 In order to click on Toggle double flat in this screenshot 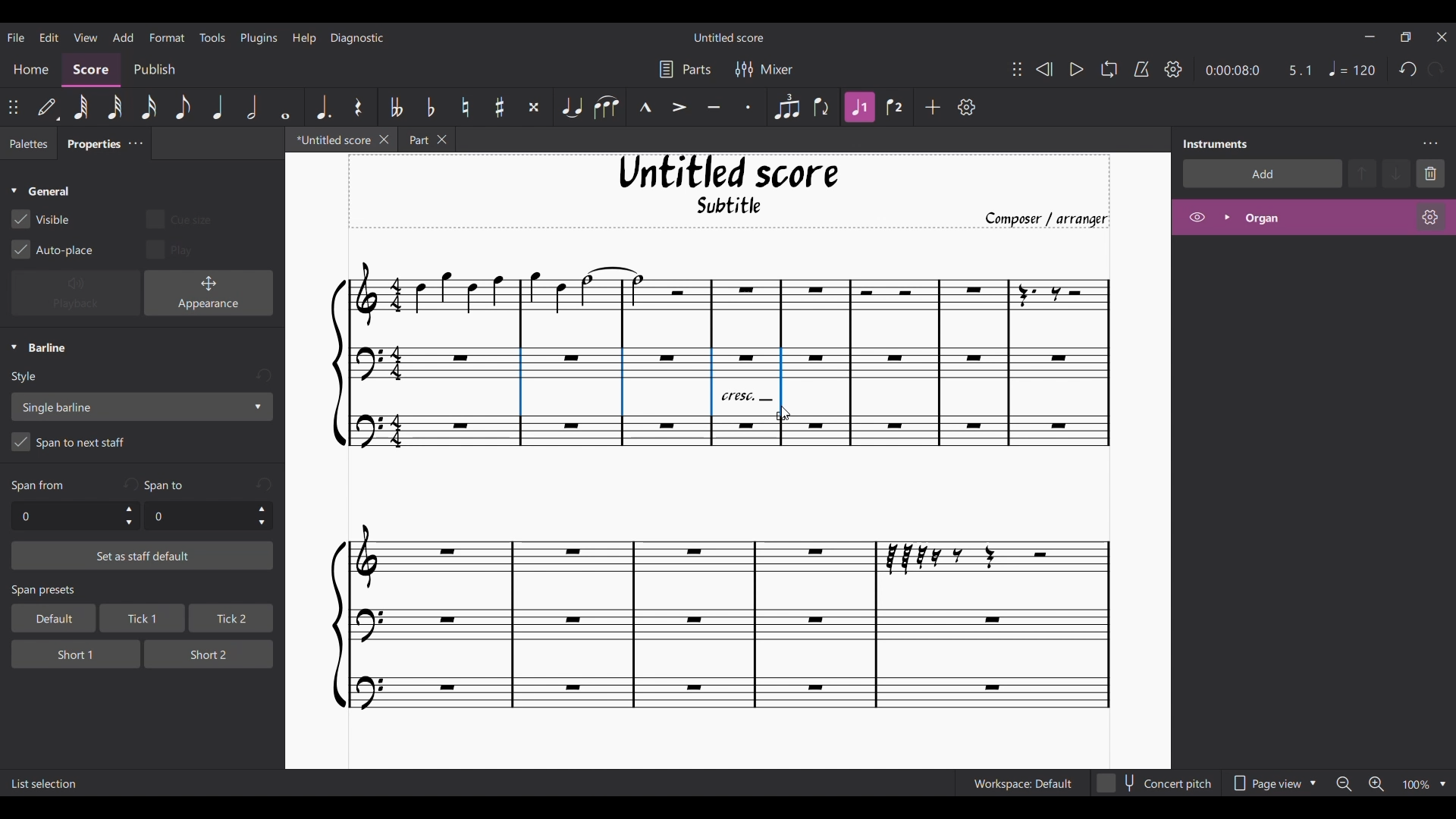, I will do `click(394, 107)`.